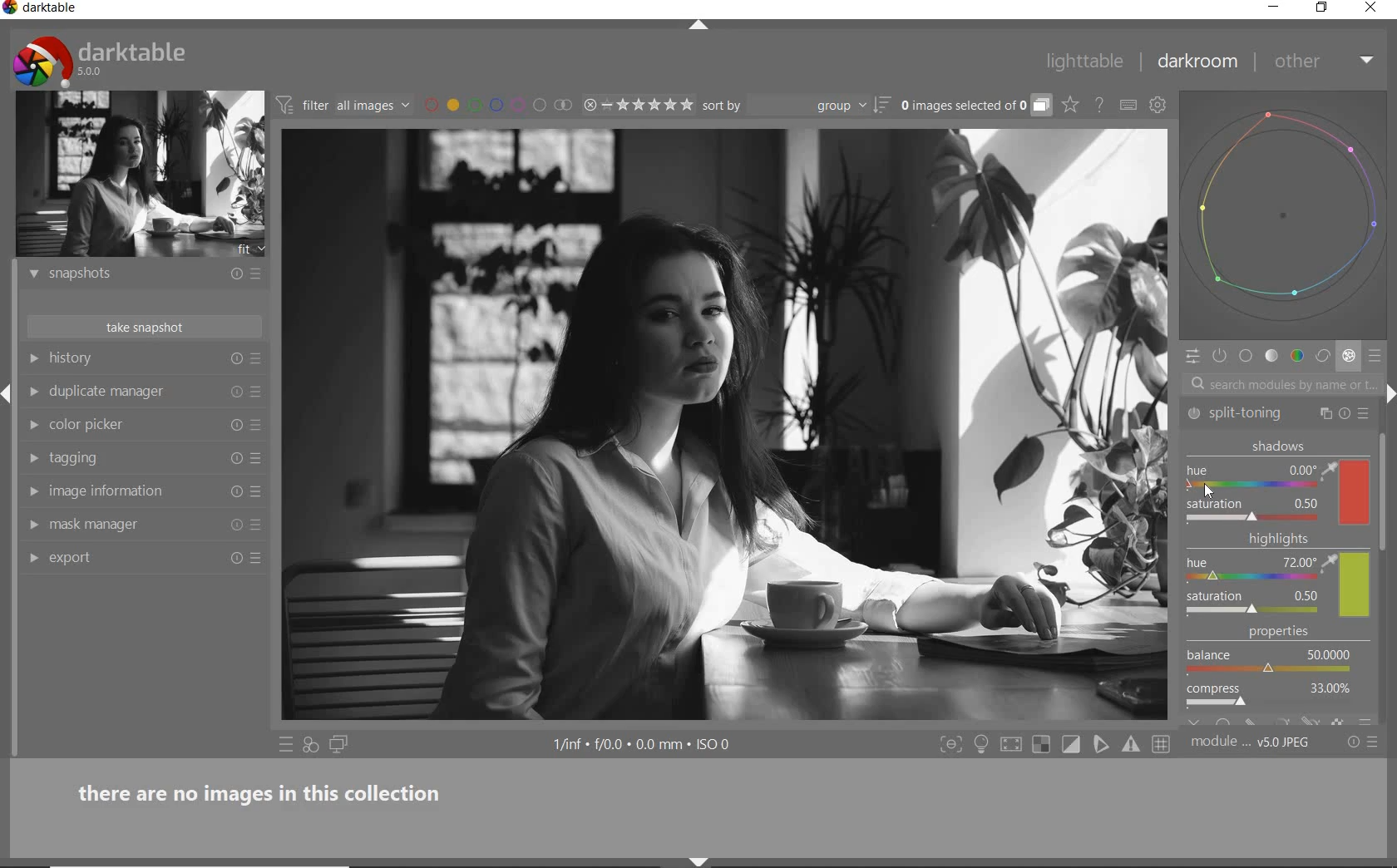  I want to click on reset or preset & preferences, so click(1365, 742).